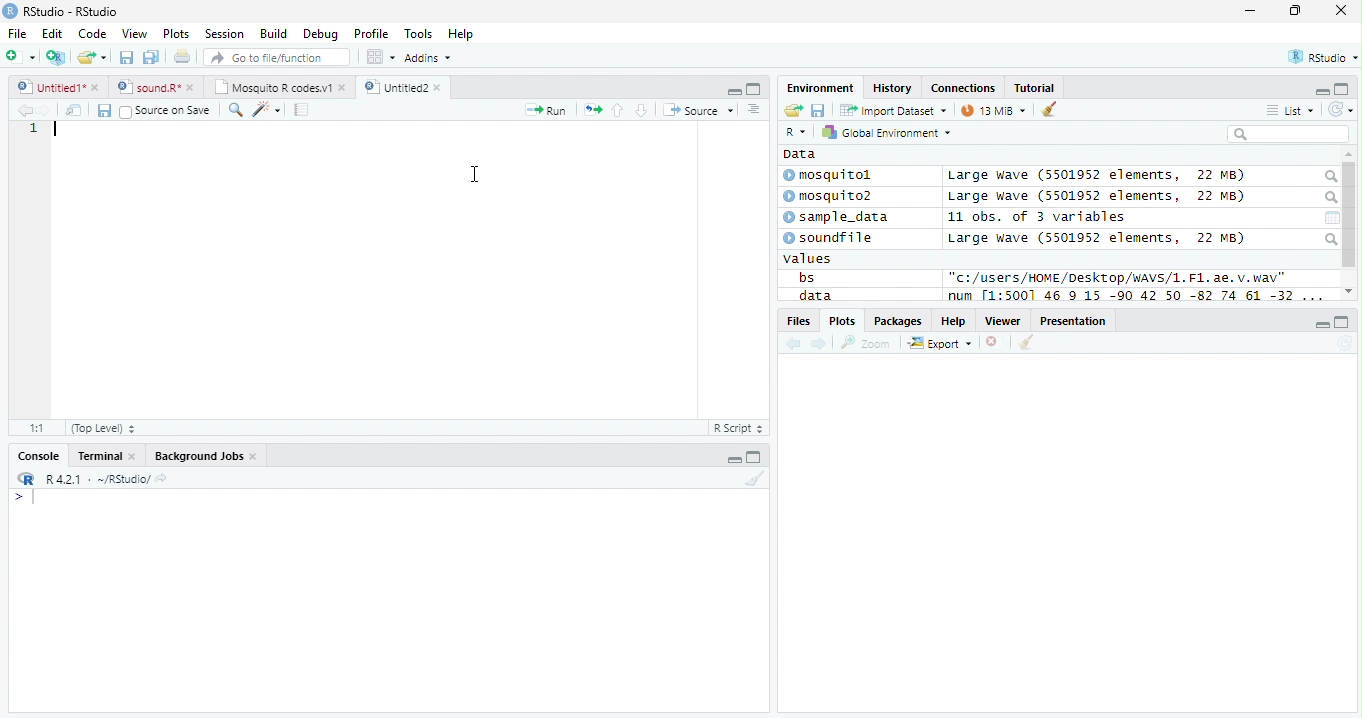 The height and width of the screenshot is (718, 1362). What do you see at coordinates (993, 110) in the screenshot?
I see `13 MiB` at bounding box center [993, 110].